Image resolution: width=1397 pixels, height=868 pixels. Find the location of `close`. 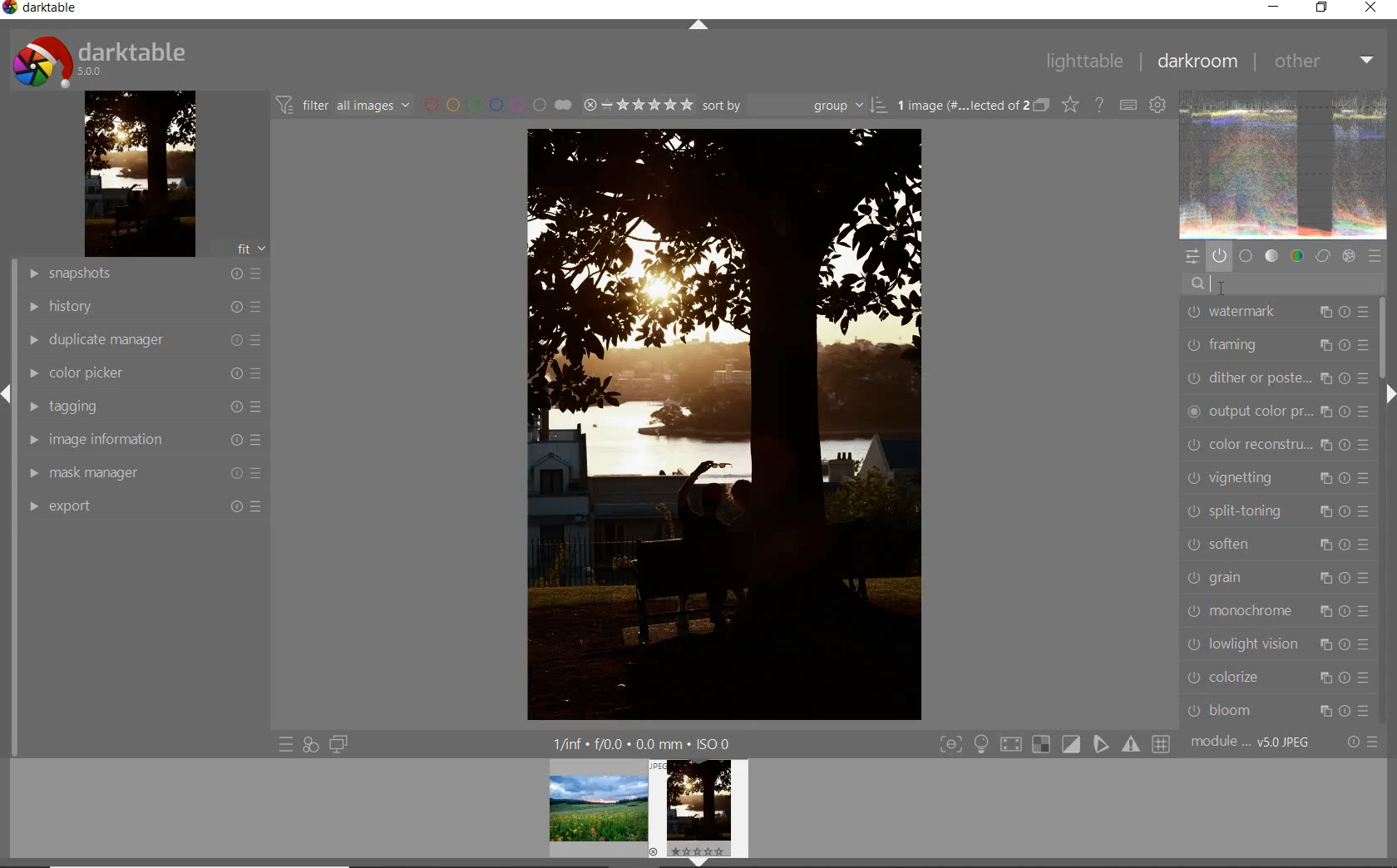

close is located at coordinates (1371, 8).